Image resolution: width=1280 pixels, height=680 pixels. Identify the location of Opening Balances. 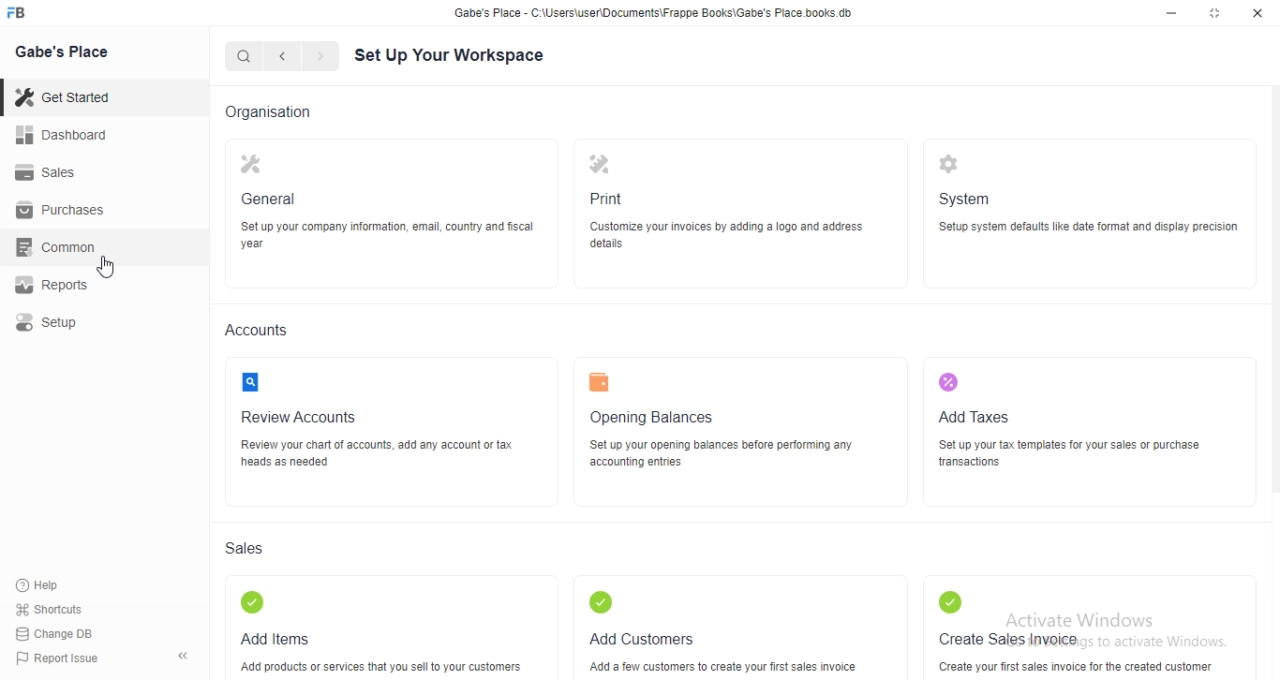
(653, 418).